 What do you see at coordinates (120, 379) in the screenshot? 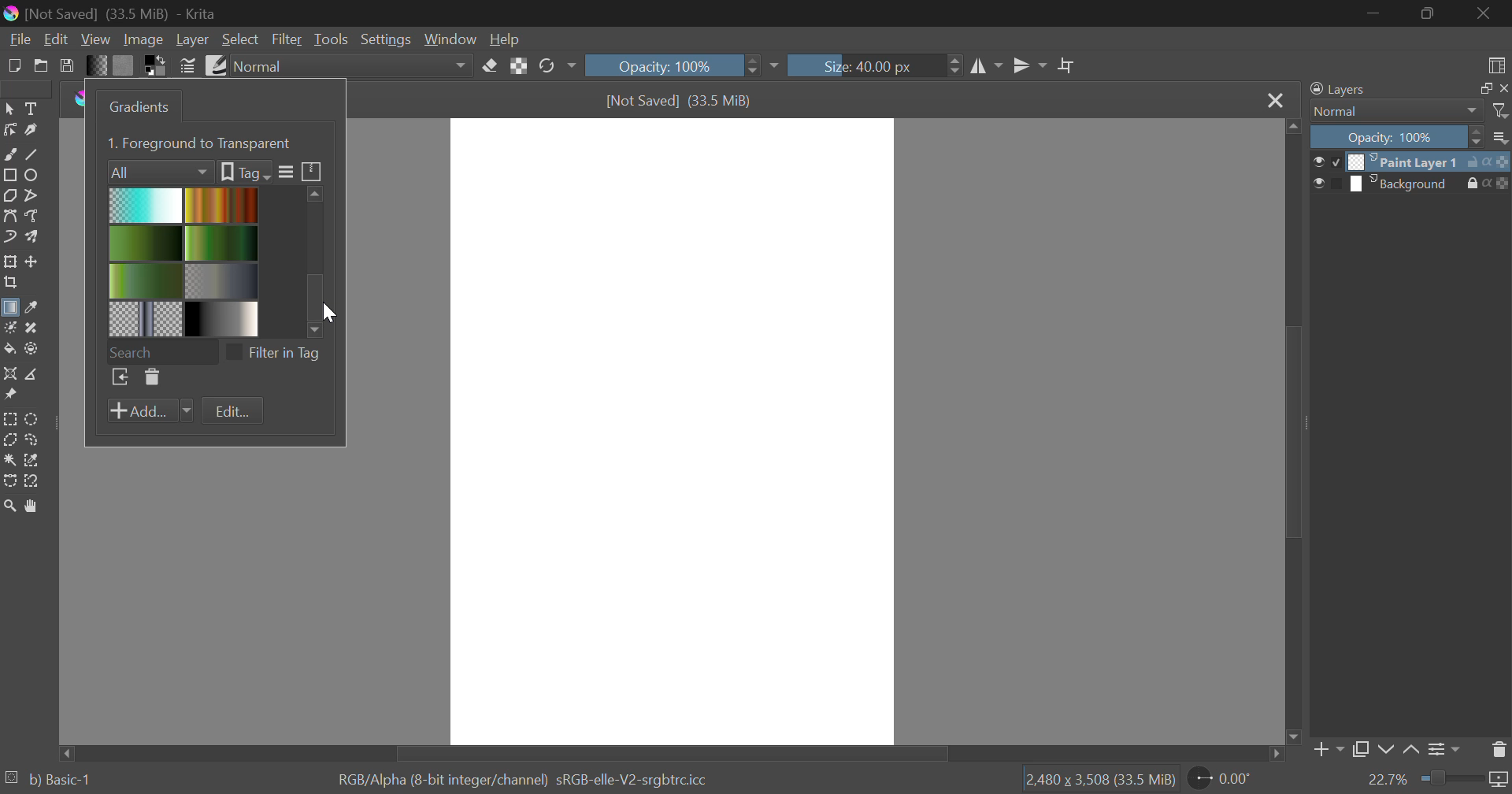
I see `Import resource` at bounding box center [120, 379].